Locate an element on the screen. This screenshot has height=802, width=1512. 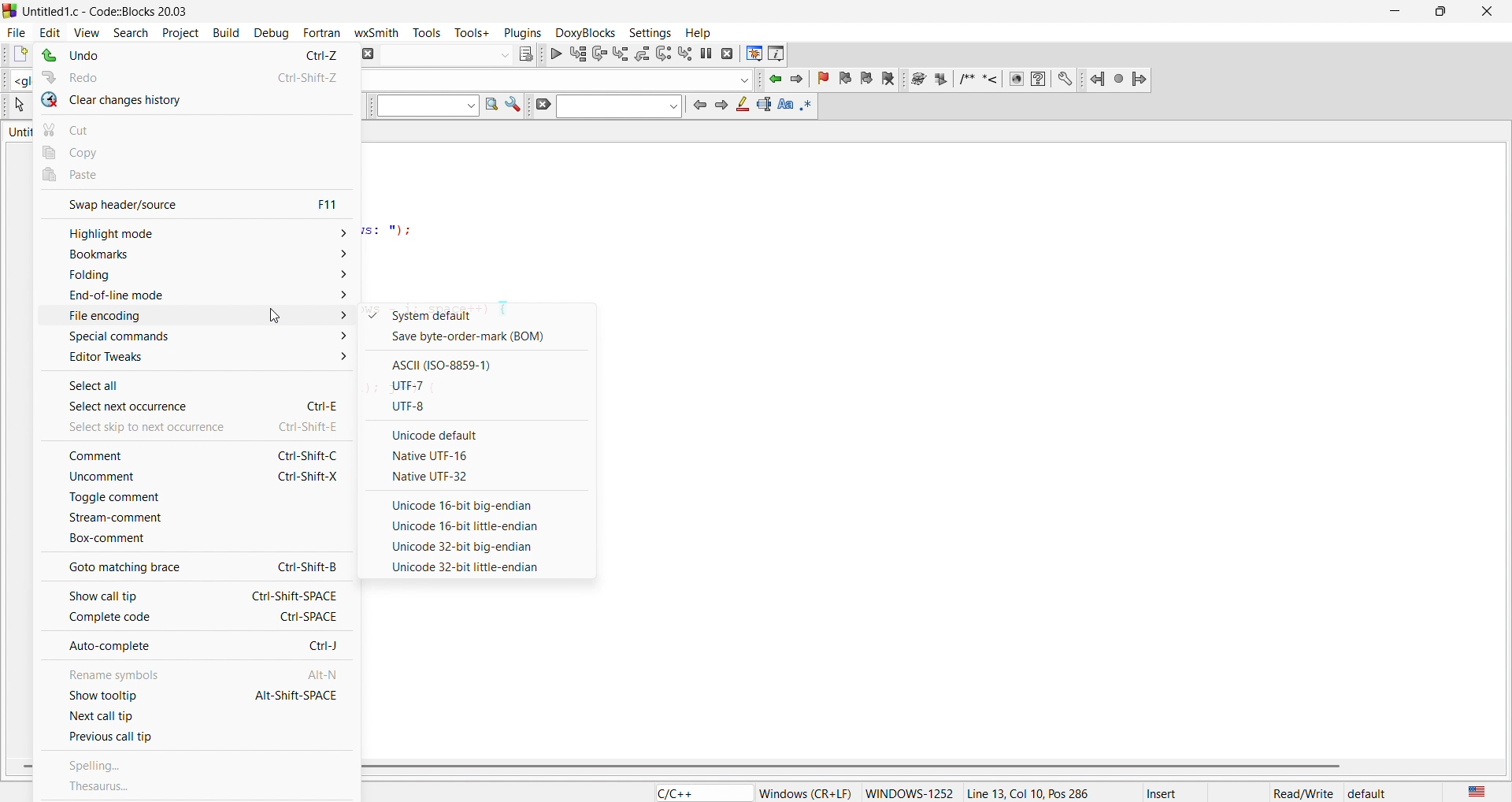
search is located at coordinates (489, 106).